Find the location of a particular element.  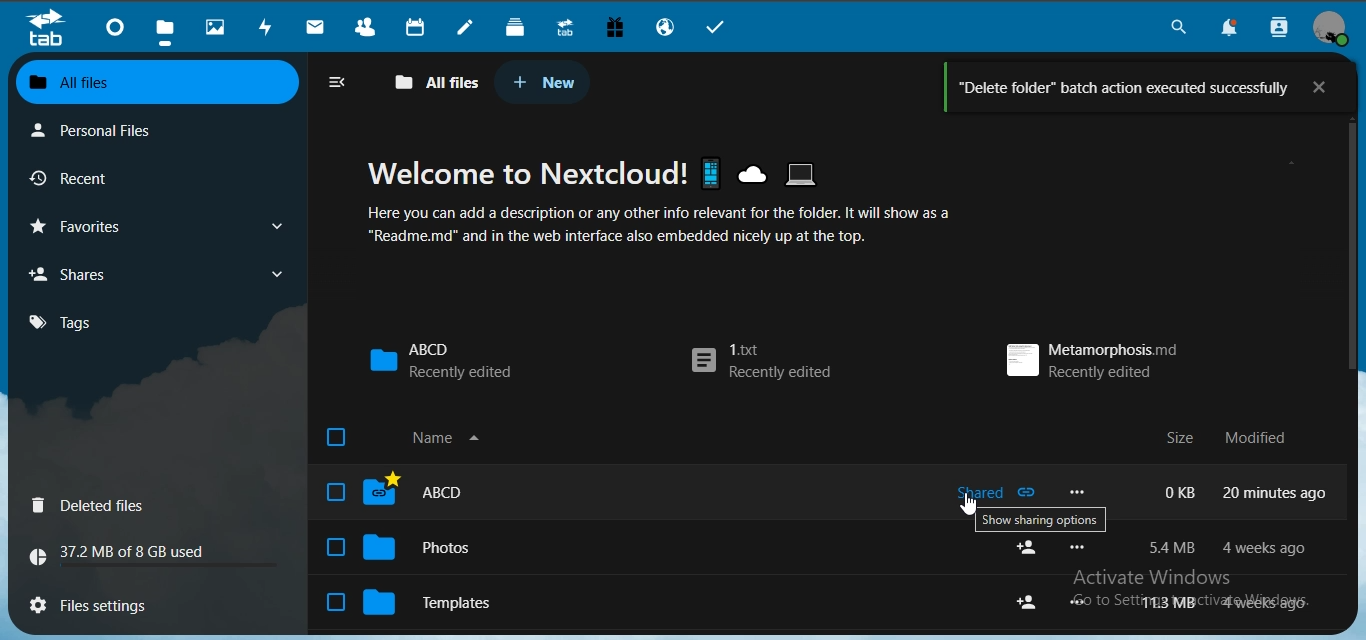

Deleted files is located at coordinates (115, 505).